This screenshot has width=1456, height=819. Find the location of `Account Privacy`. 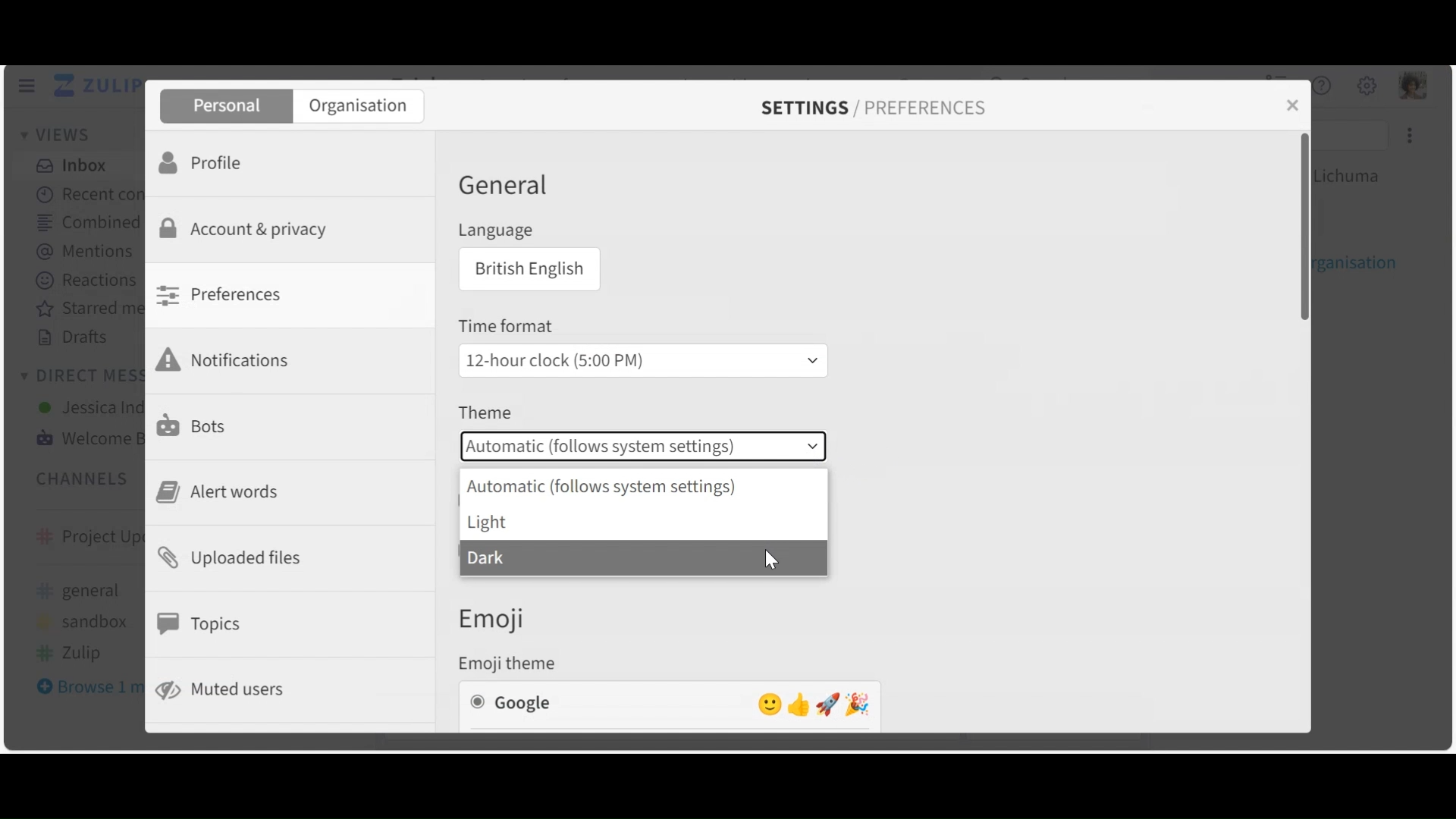

Account Privacy is located at coordinates (249, 228).